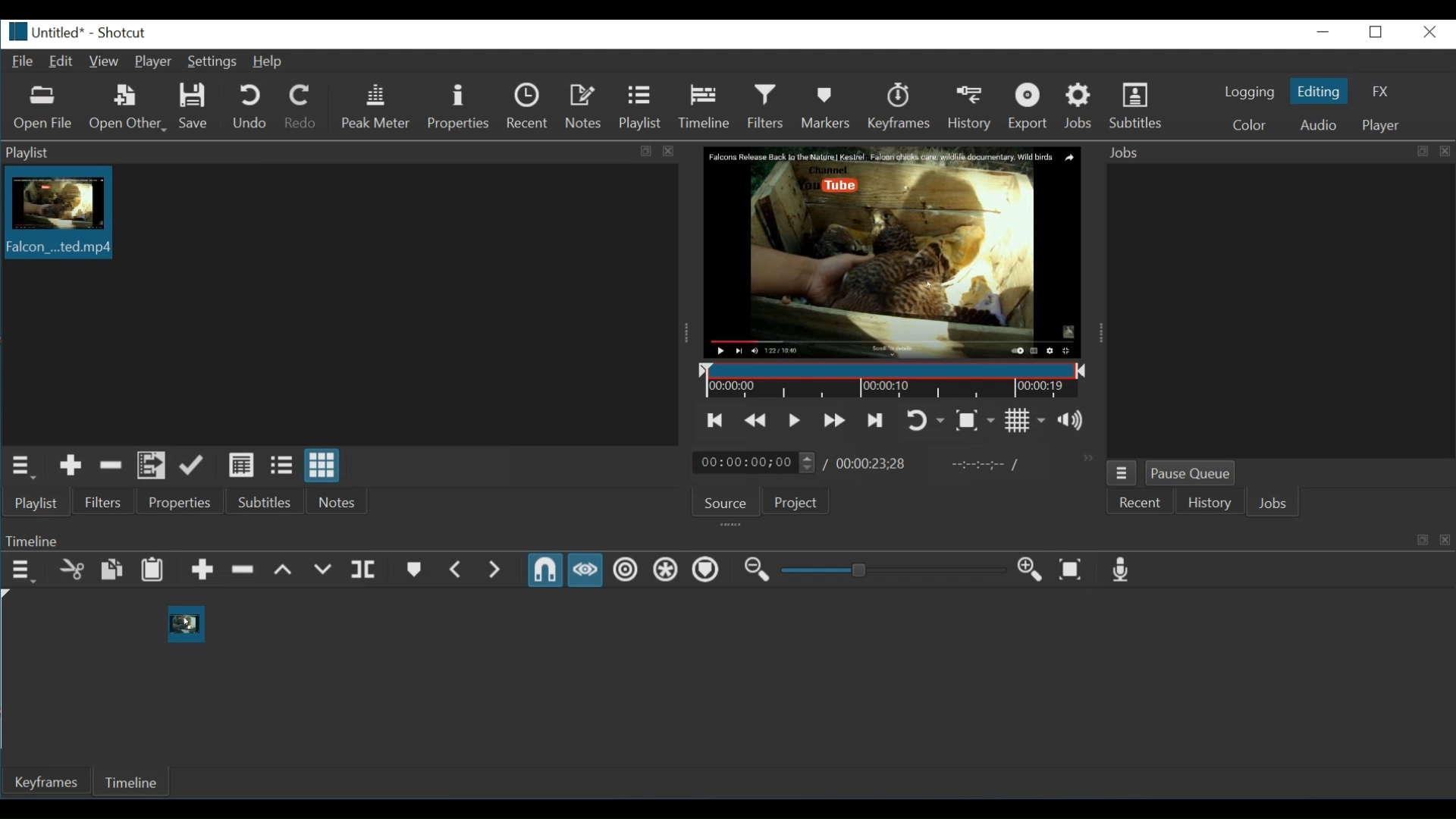  I want to click on Subtitles, so click(271, 500).